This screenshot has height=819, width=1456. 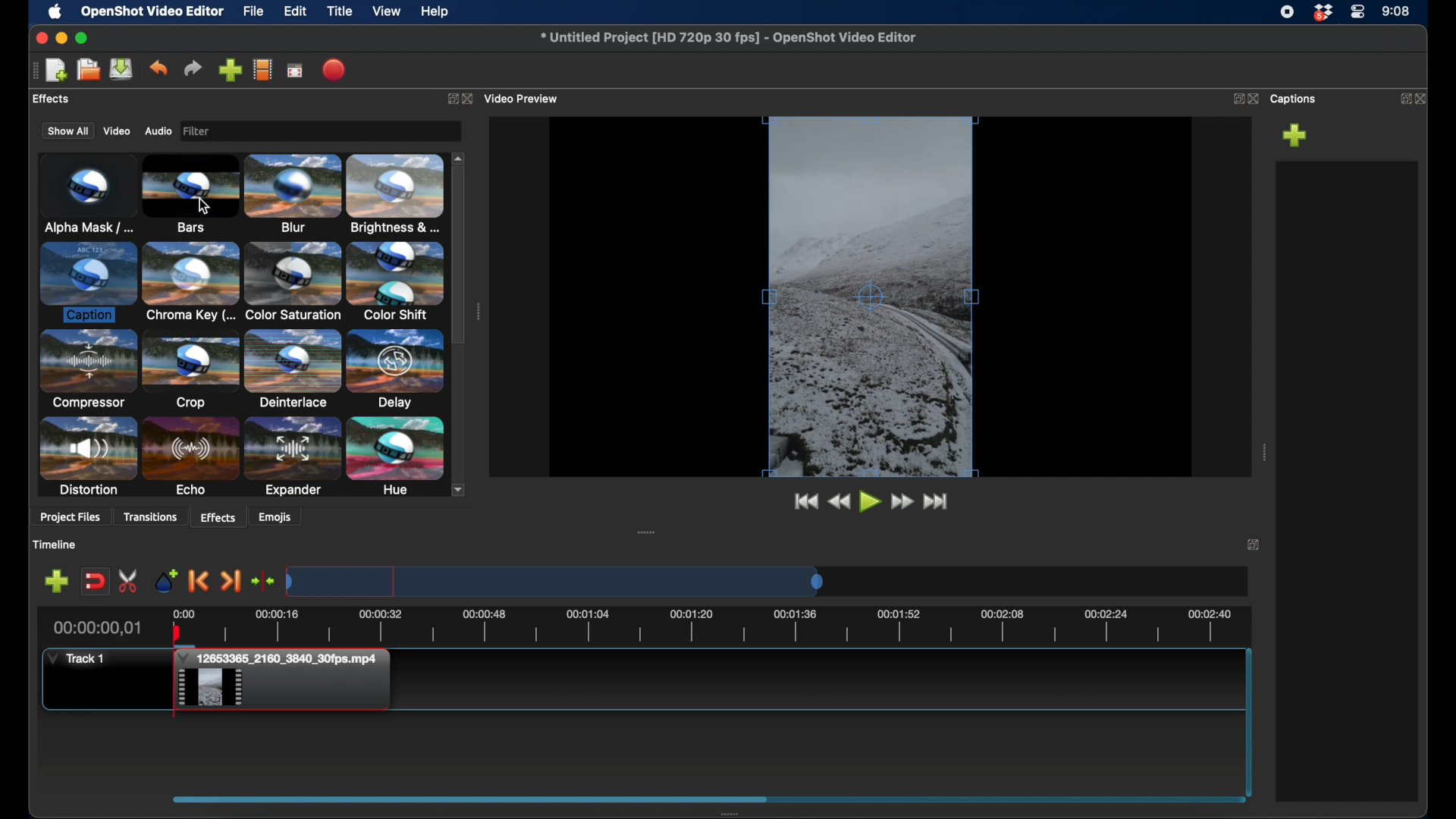 I want to click on brightness & contrast, so click(x=397, y=194).